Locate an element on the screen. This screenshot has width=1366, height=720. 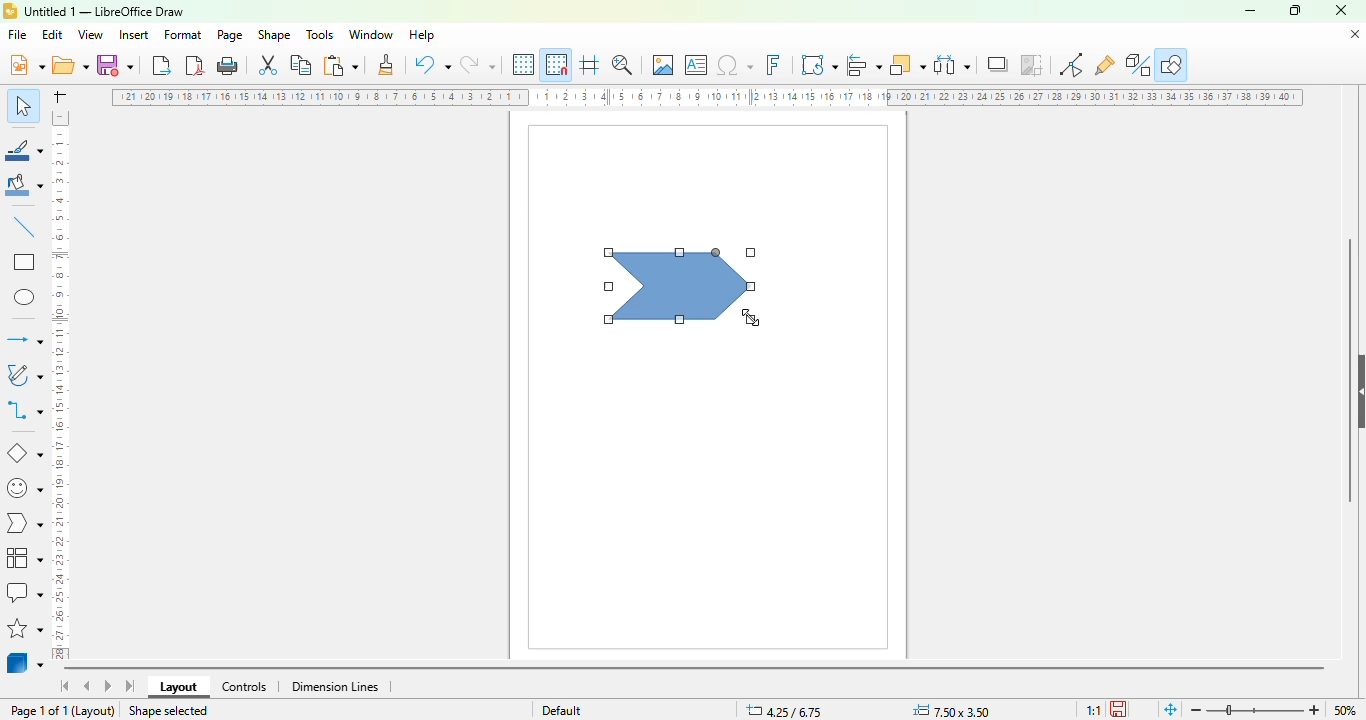
fill color is located at coordinates (25, 185).